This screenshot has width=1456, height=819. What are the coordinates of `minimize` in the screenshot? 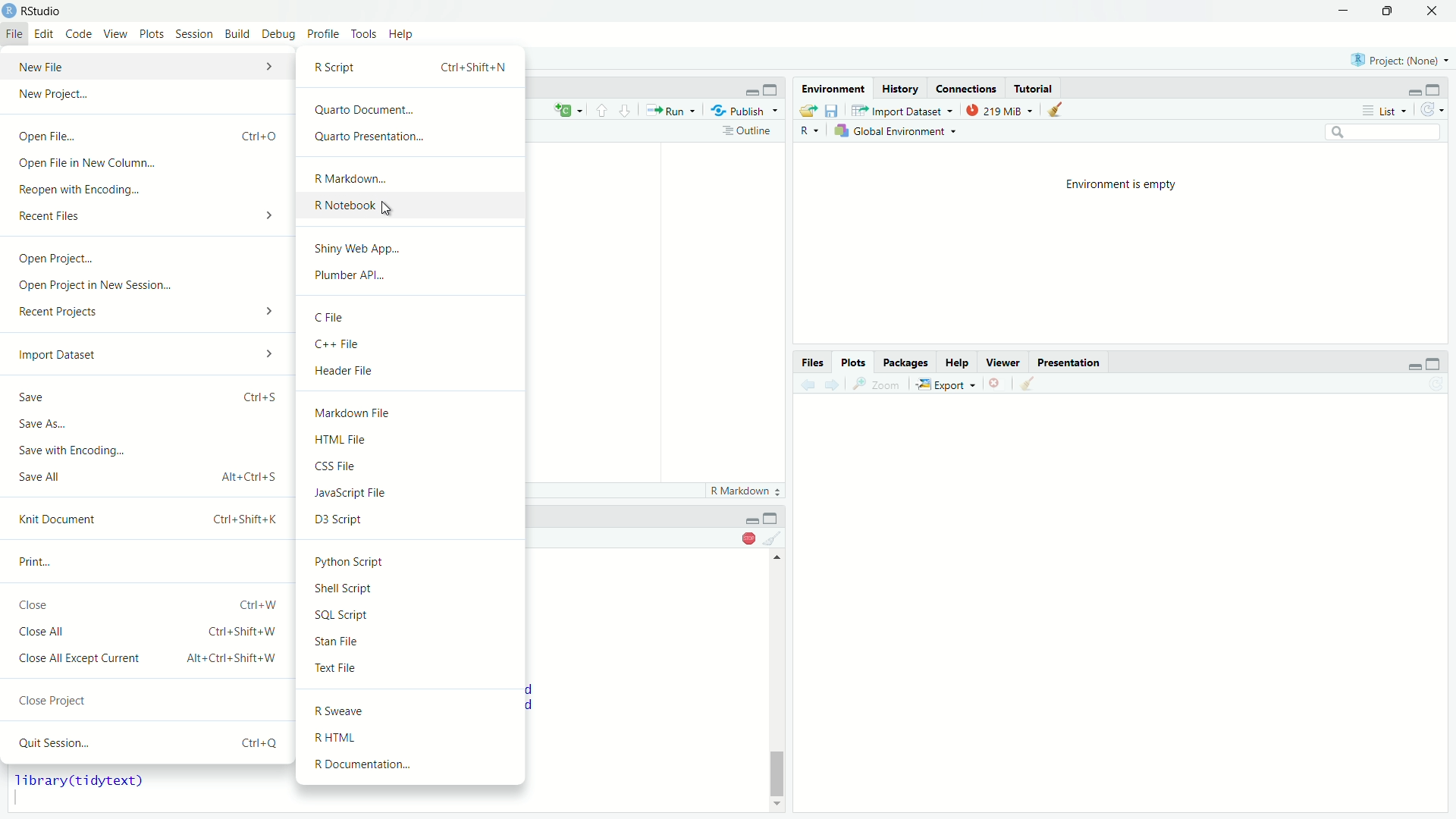 It's located at (1412, 362).